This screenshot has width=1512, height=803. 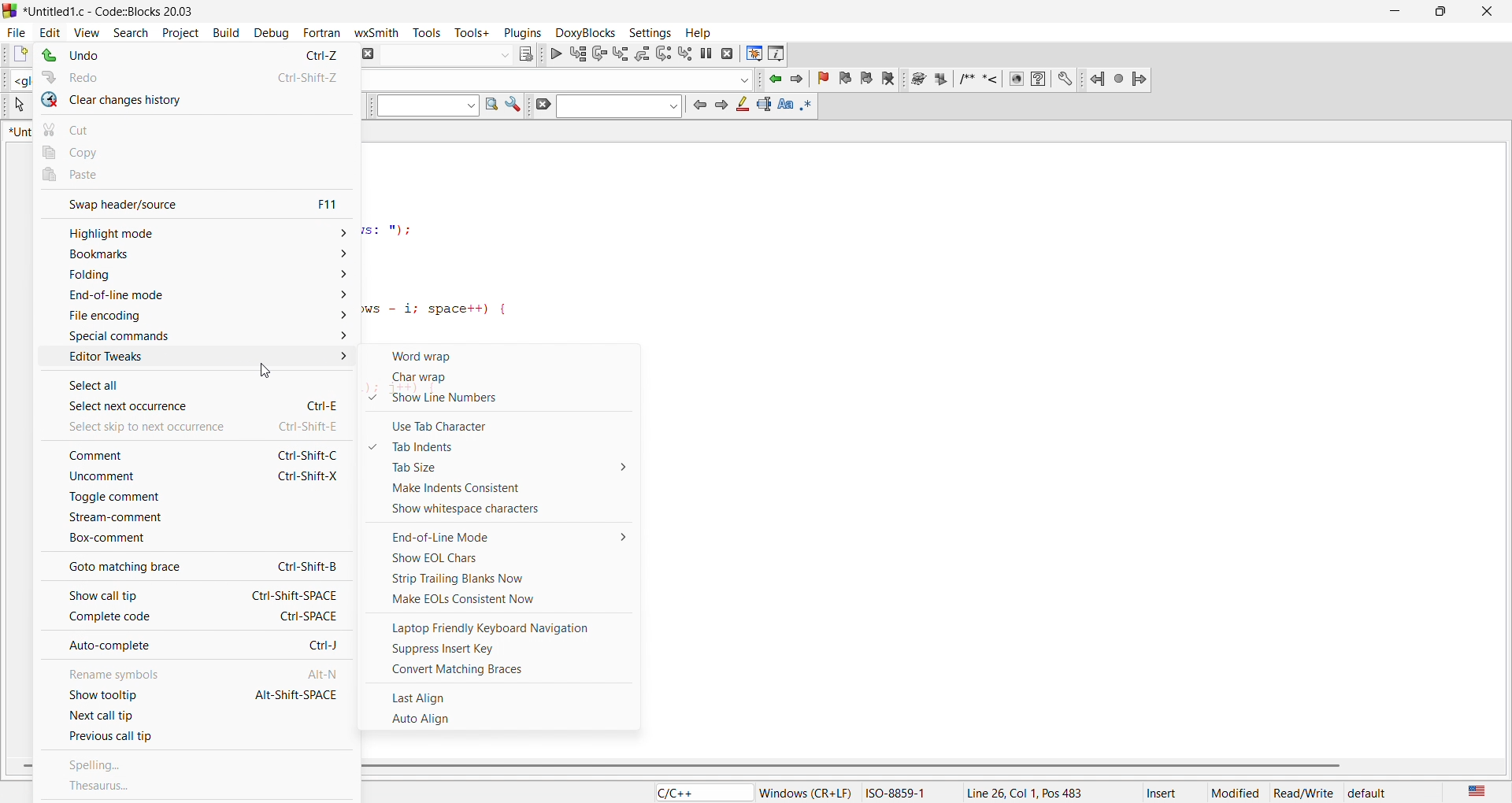 What do you see at coordinates (191, 542) in the screenshot?
I see `box comment ` at bounding box center [191, 542].